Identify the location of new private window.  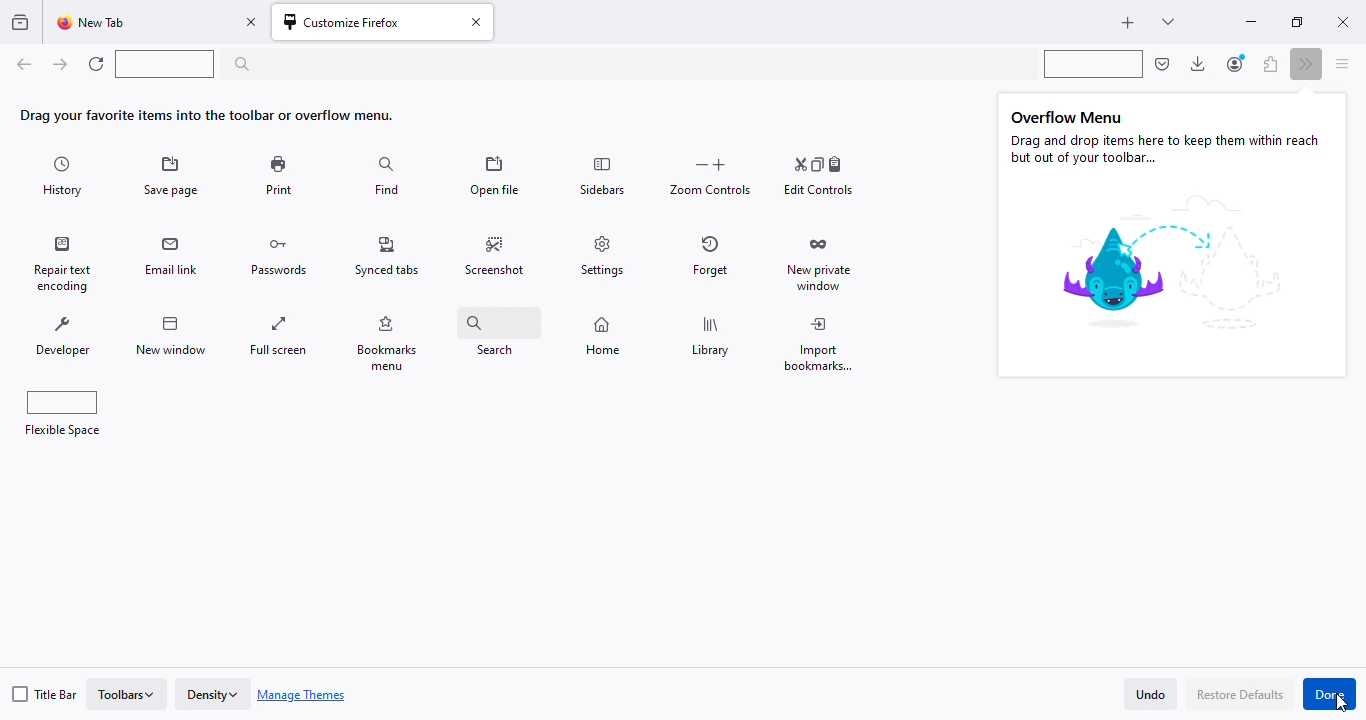
(818, 265).